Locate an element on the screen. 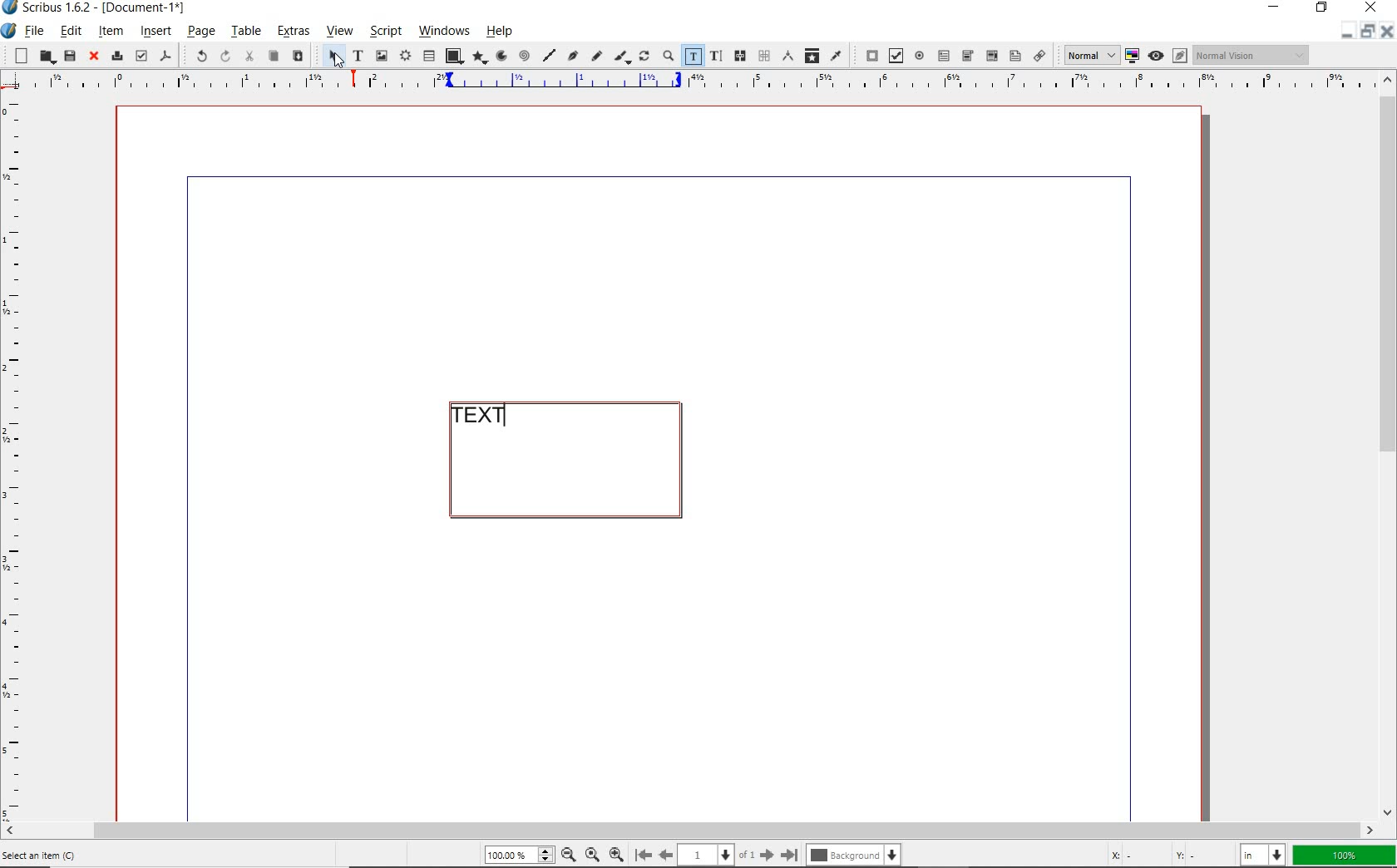  paste is located at coordinates (299, 57).